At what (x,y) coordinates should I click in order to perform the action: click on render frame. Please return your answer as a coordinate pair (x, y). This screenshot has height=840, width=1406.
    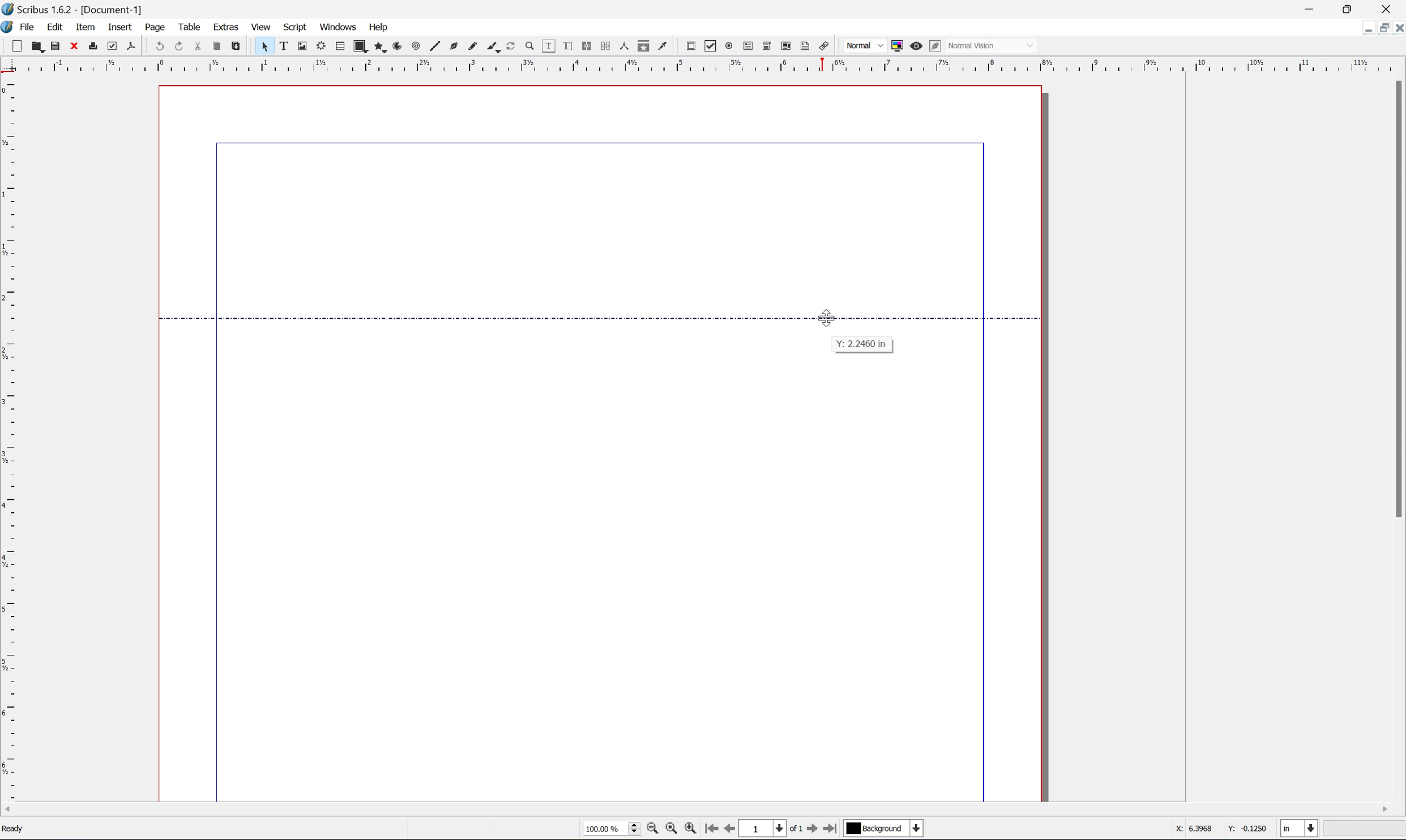
    Looking at the image, I should click on (322, 46).